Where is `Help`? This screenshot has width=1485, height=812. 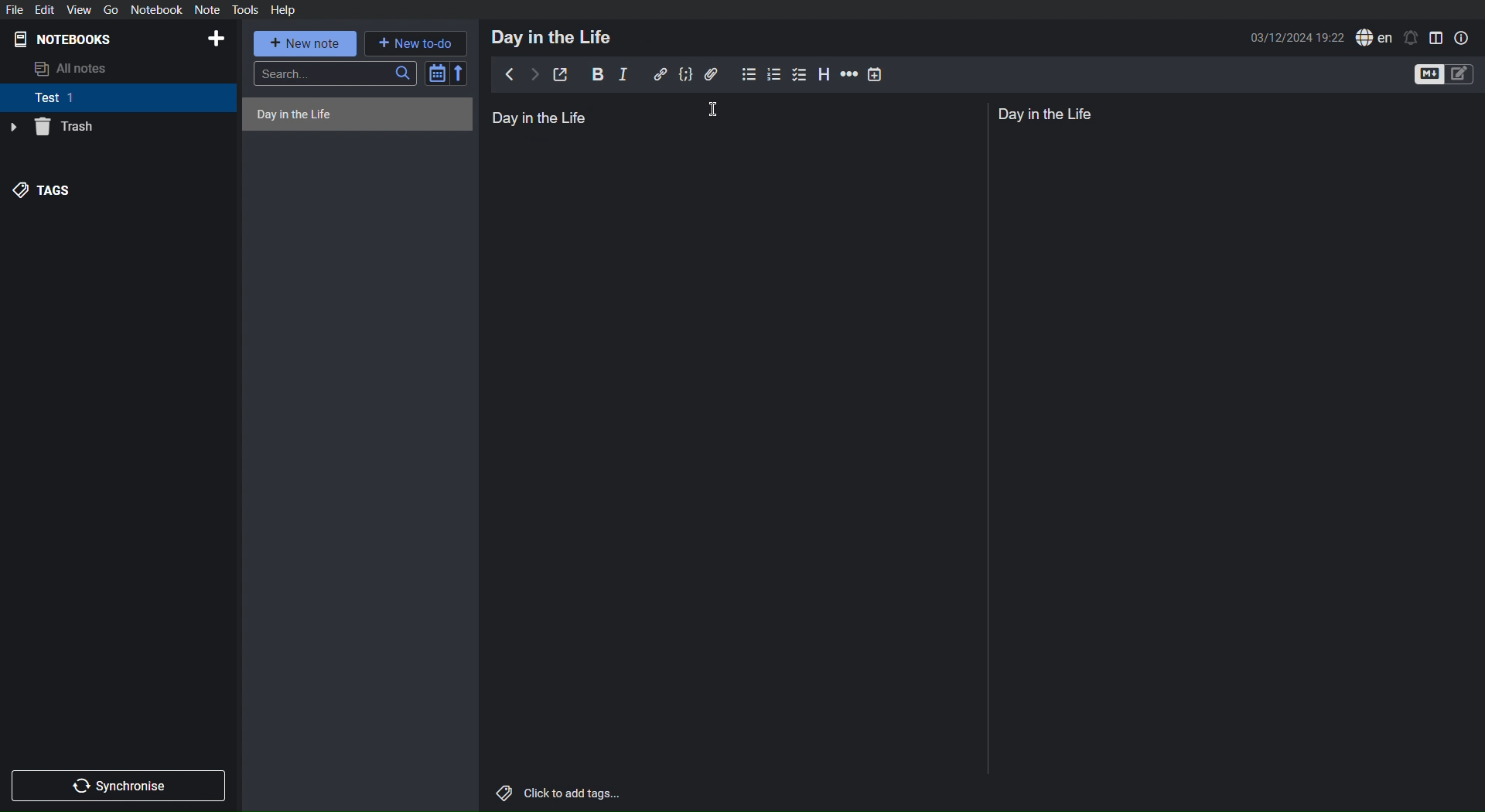
Help is located at coordinates (285, 10).